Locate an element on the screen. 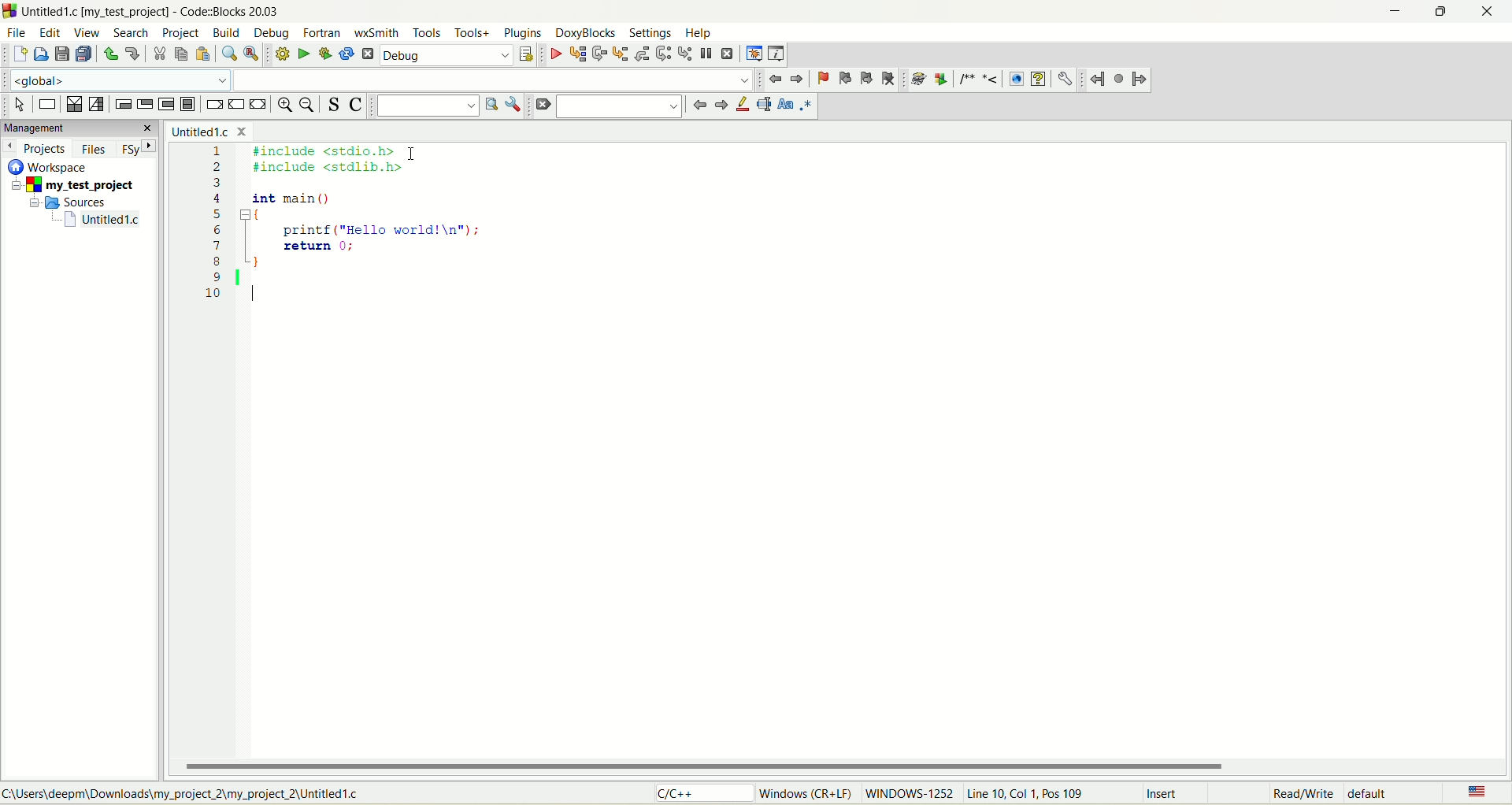  plugins is located at coordinates (523, 32).